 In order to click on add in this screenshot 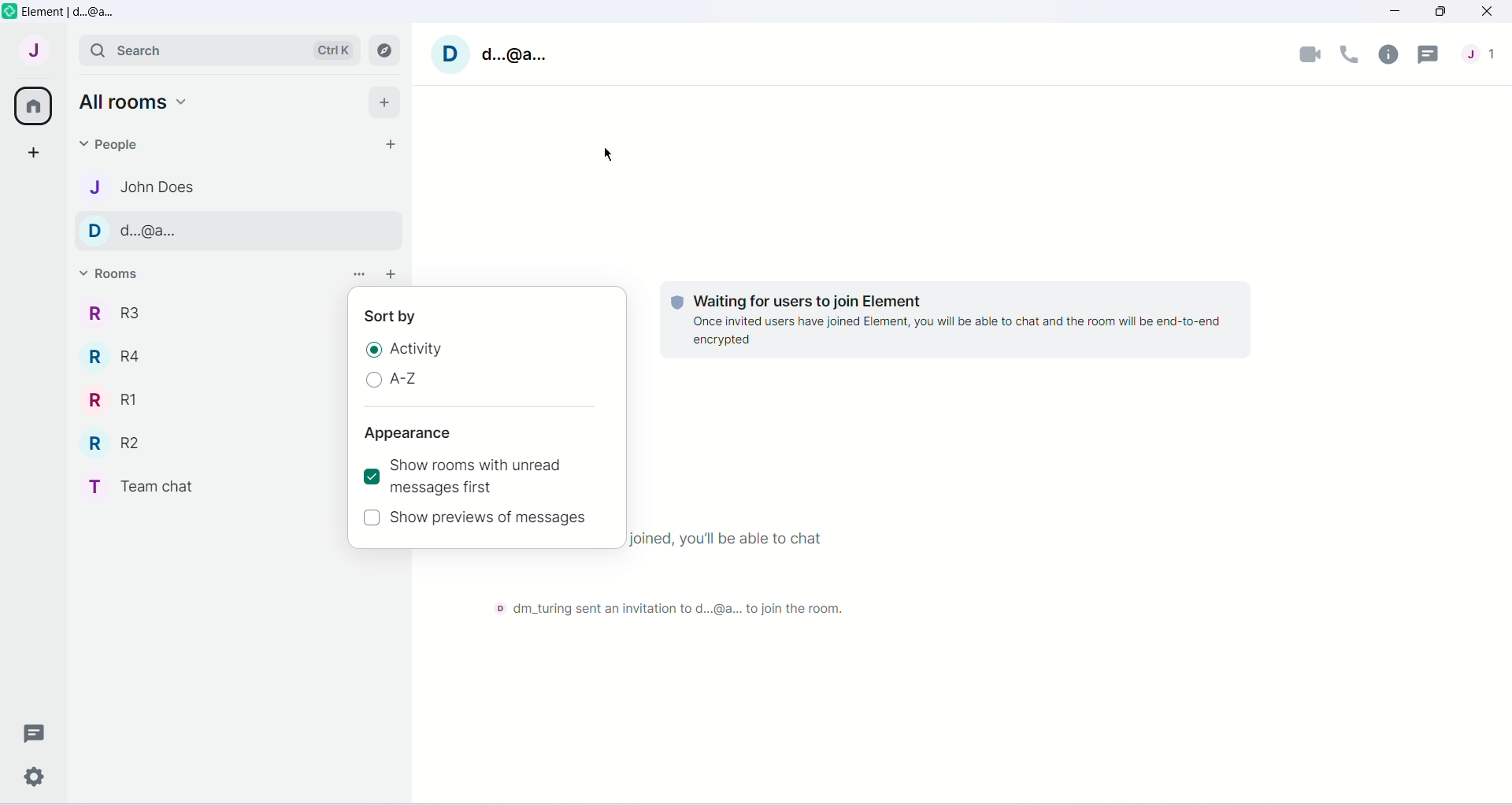, I will do `click(391, 276)`.